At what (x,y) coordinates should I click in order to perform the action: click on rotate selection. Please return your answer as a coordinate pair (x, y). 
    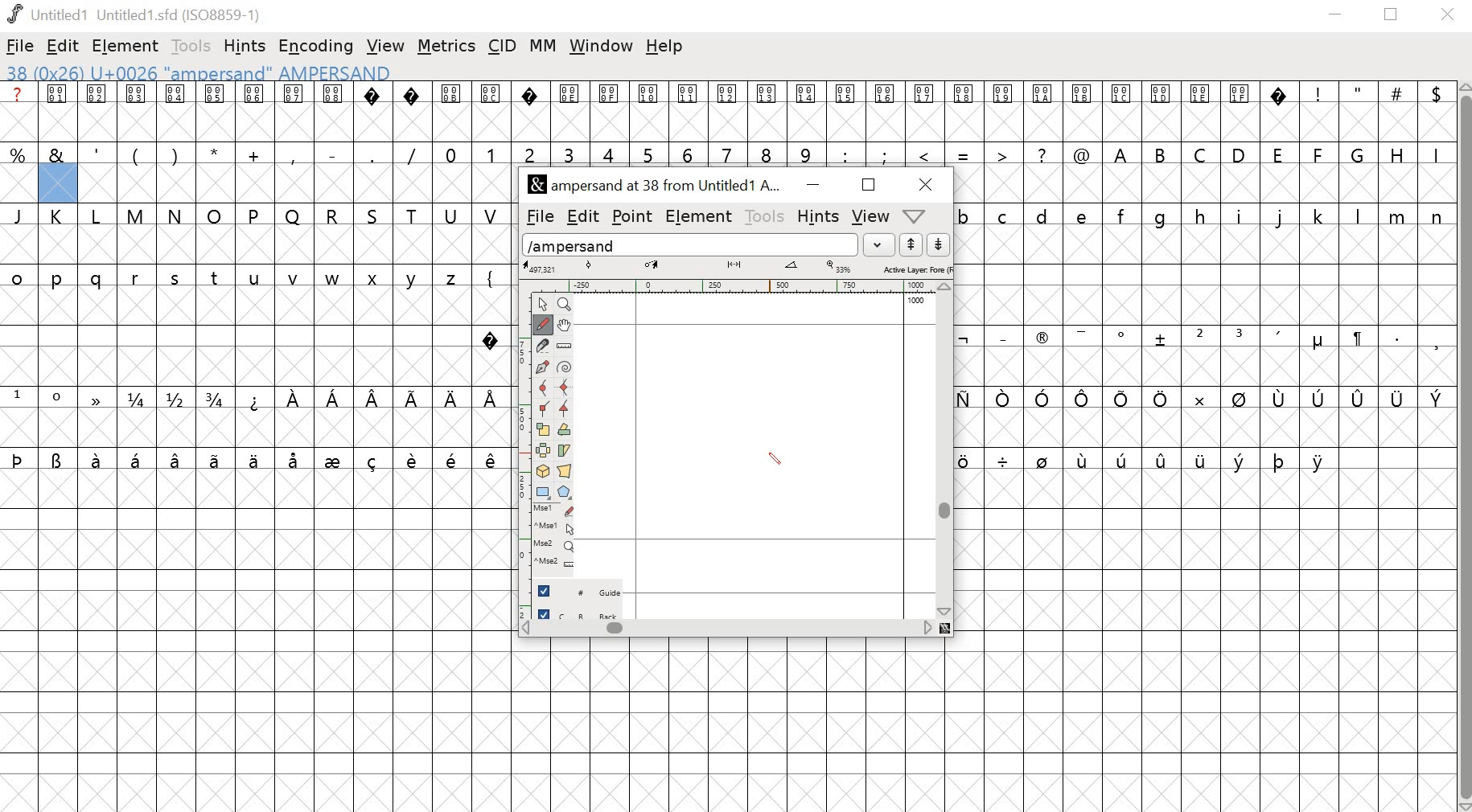
    Looking at the image, I should click on (565, 431).